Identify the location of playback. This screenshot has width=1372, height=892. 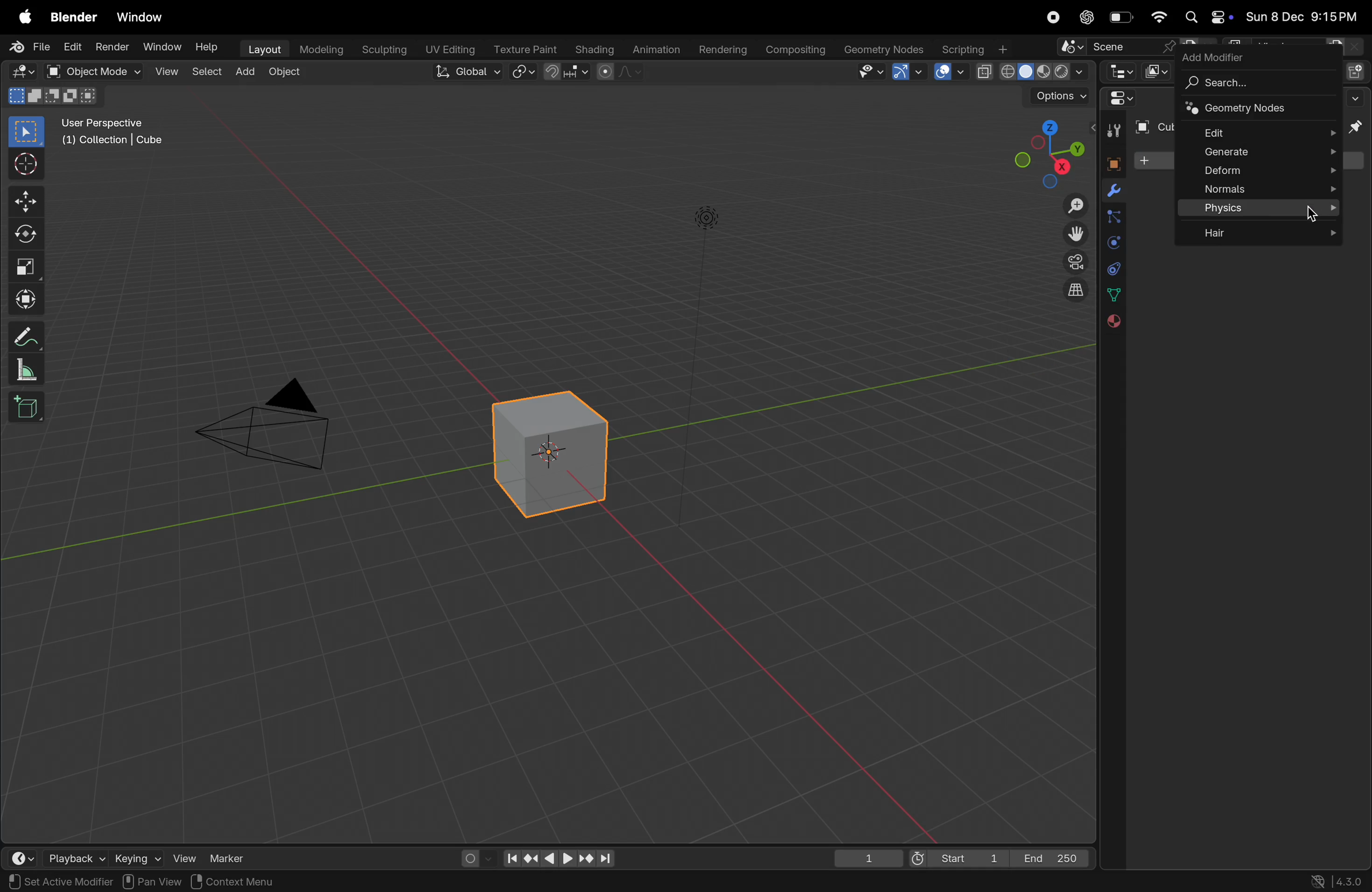
(75, 857).